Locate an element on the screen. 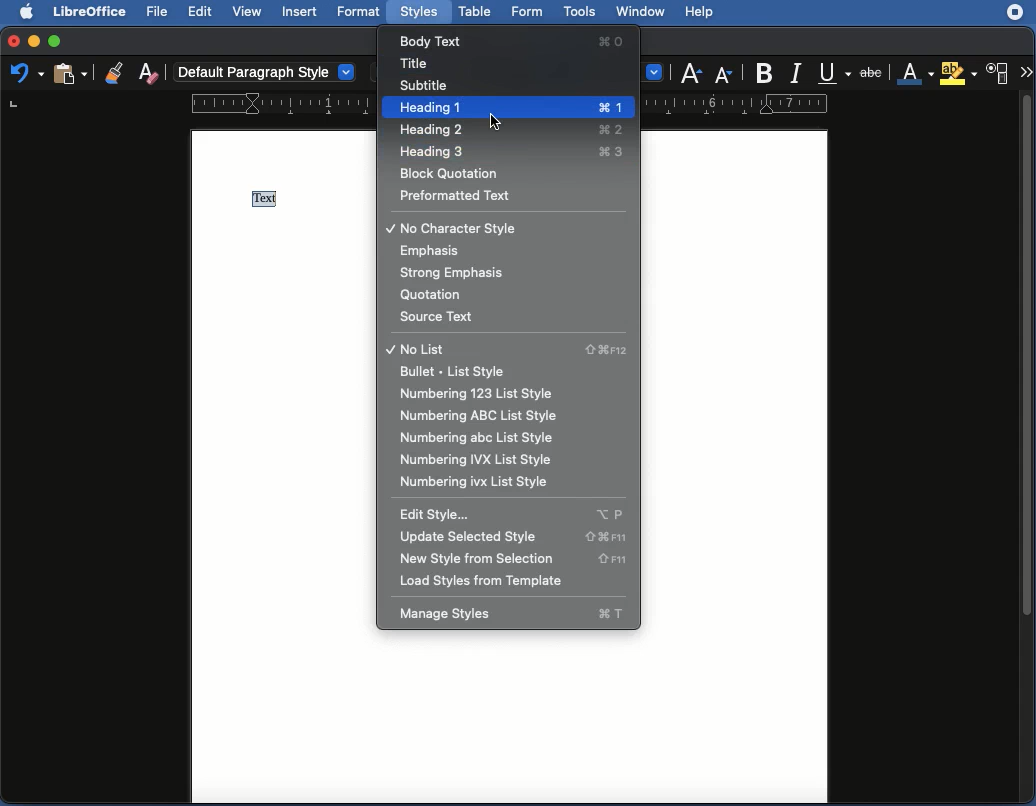 The height and width of the screenshot is (806, 1036). Clone formatting is located at coordinates (113, 70).